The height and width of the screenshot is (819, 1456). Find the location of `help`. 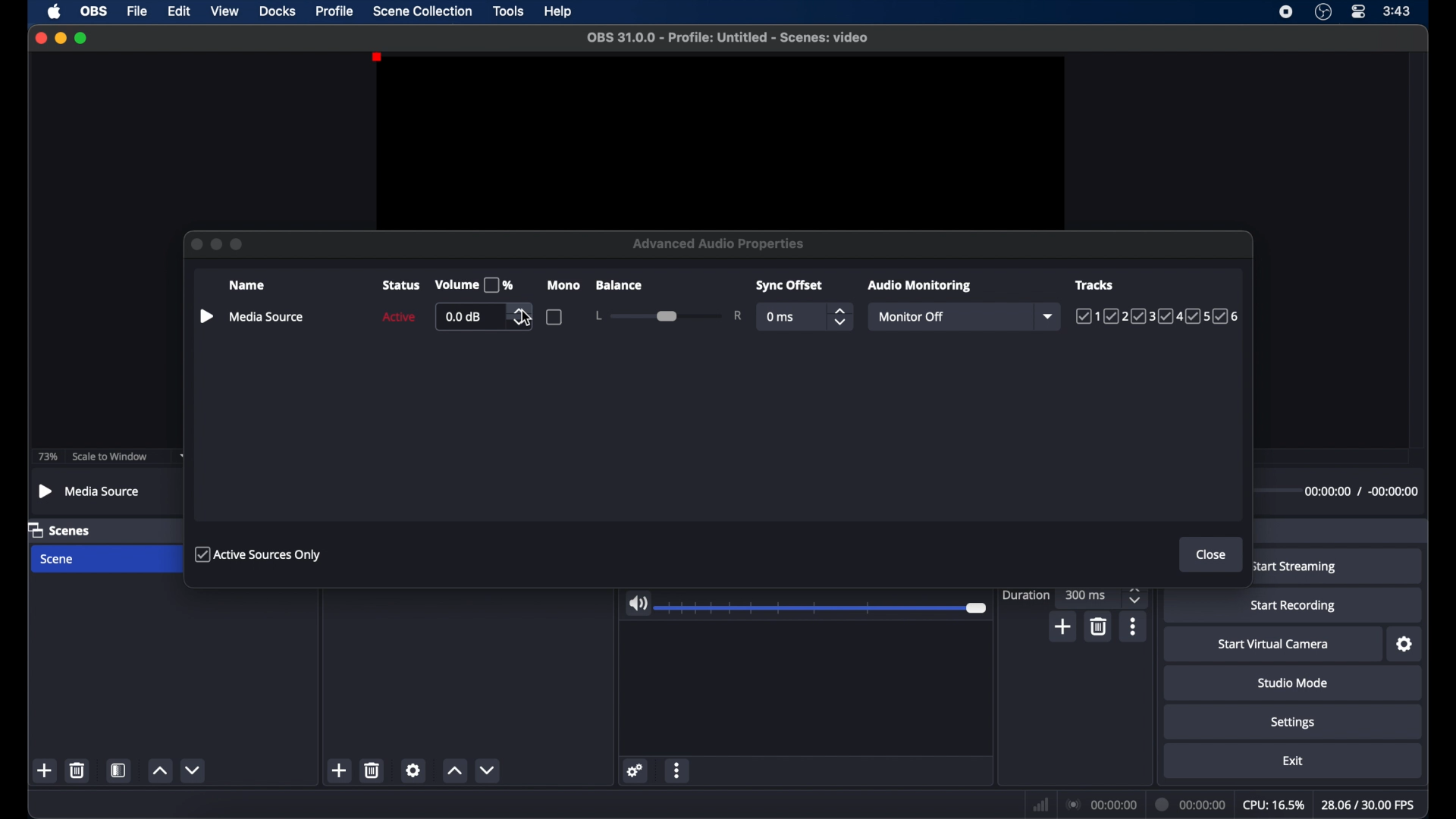

help is located at coordinates (560, 12).